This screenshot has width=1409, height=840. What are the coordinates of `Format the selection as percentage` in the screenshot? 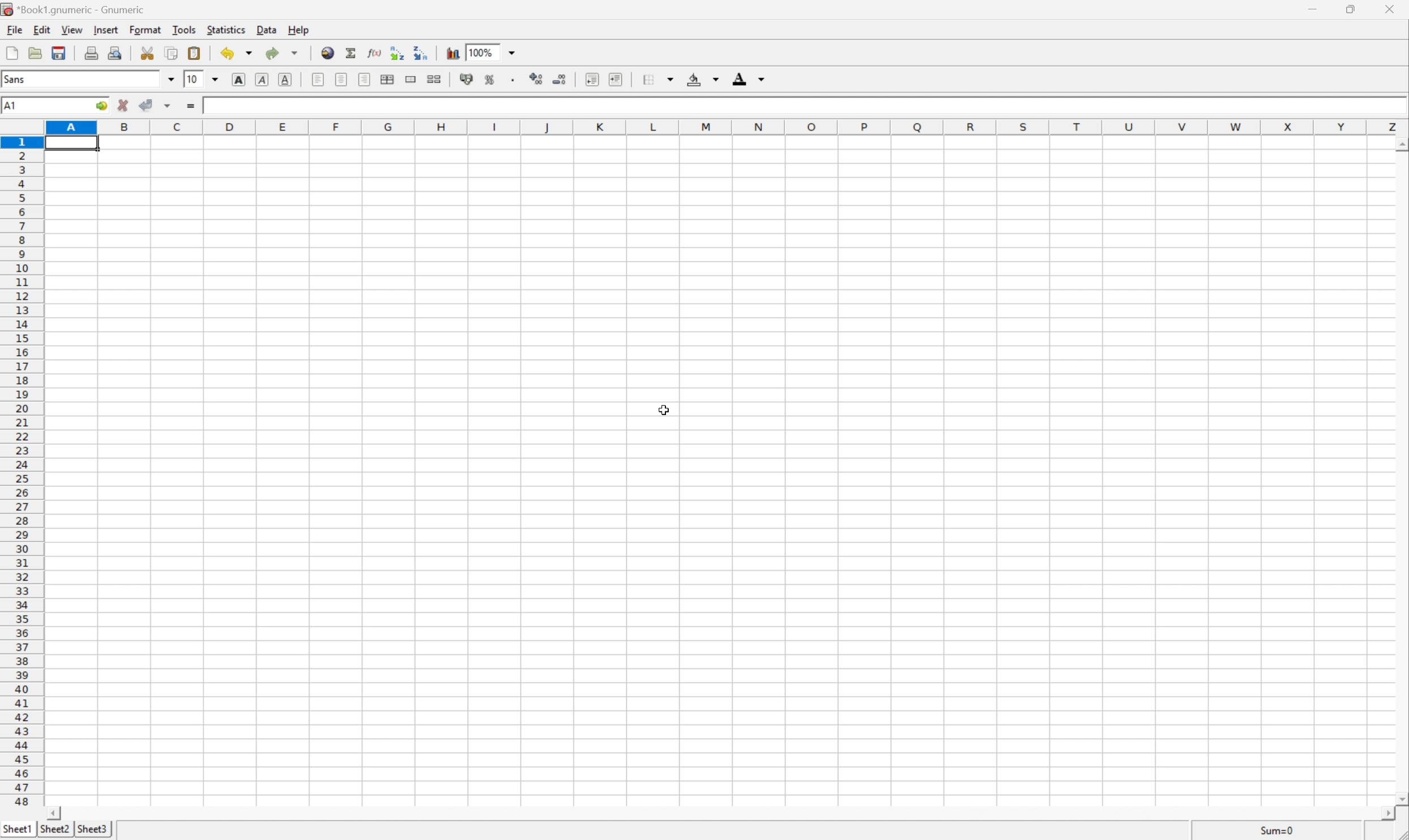 It's located at (490, 79).